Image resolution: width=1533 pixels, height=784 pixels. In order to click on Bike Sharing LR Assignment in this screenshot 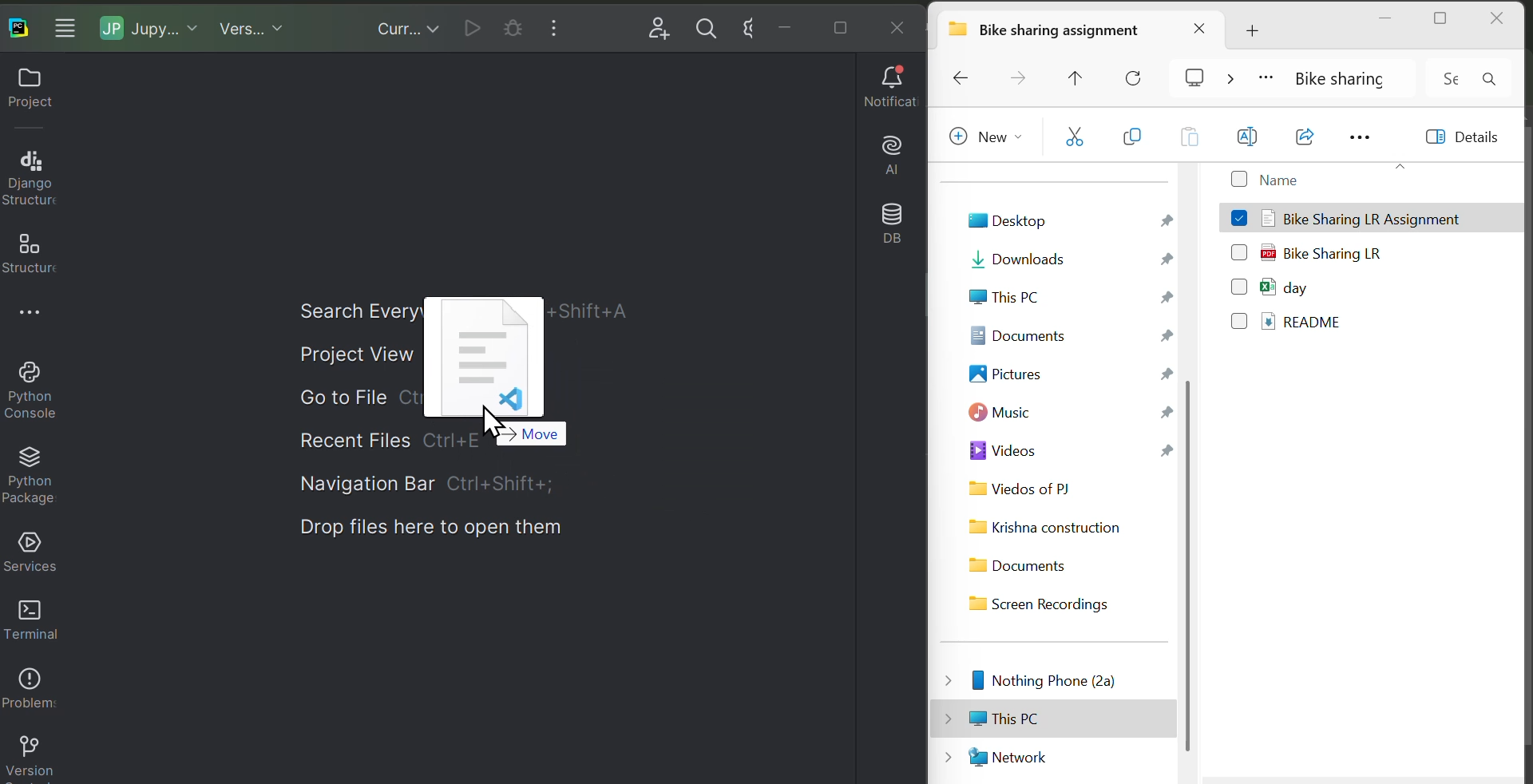, I will do `click(1372, 214)`.